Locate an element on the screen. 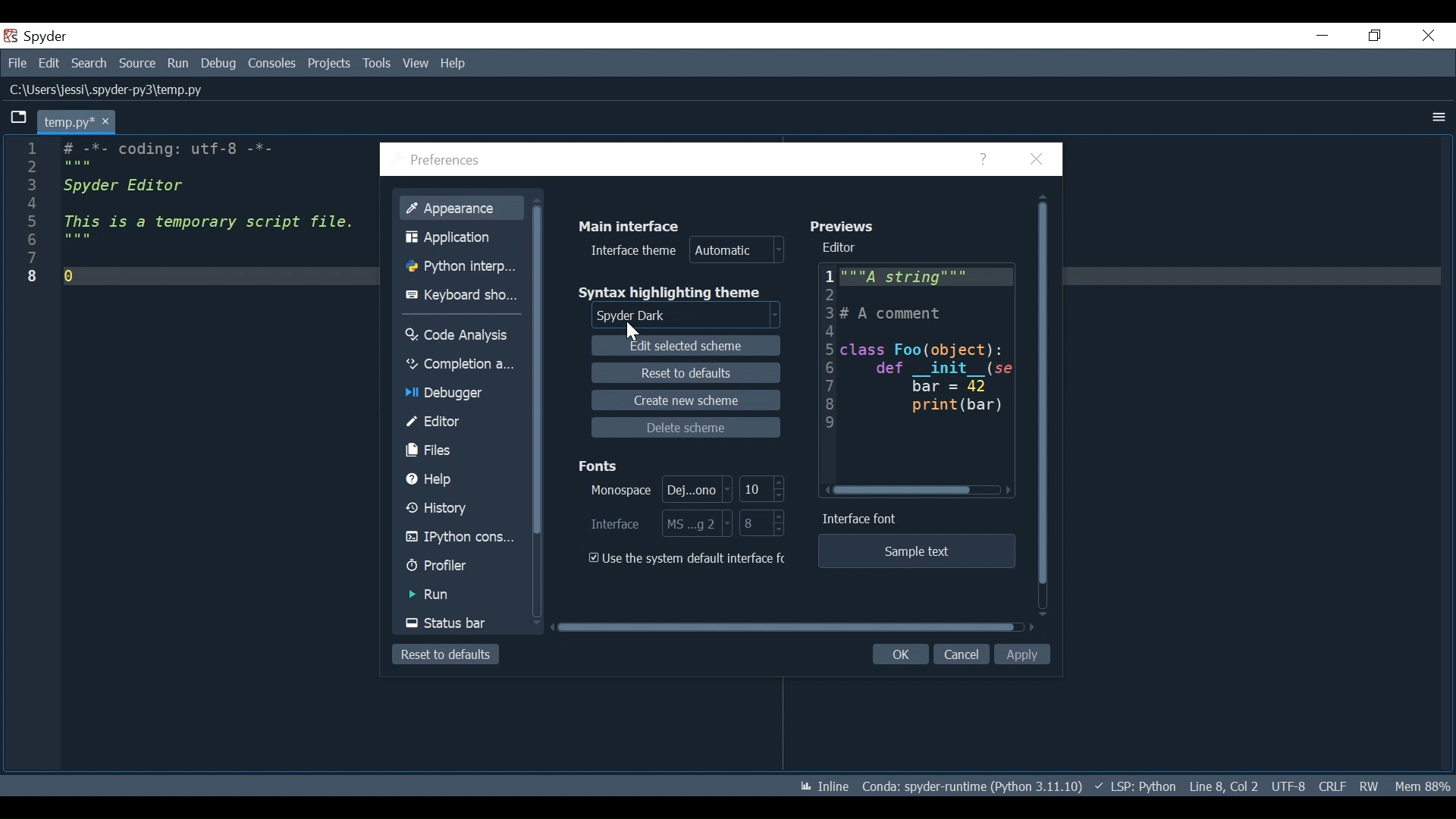 Image resolution: width=1456 pixels, height=819 pixels. Search is located at coordinates (89, 63).